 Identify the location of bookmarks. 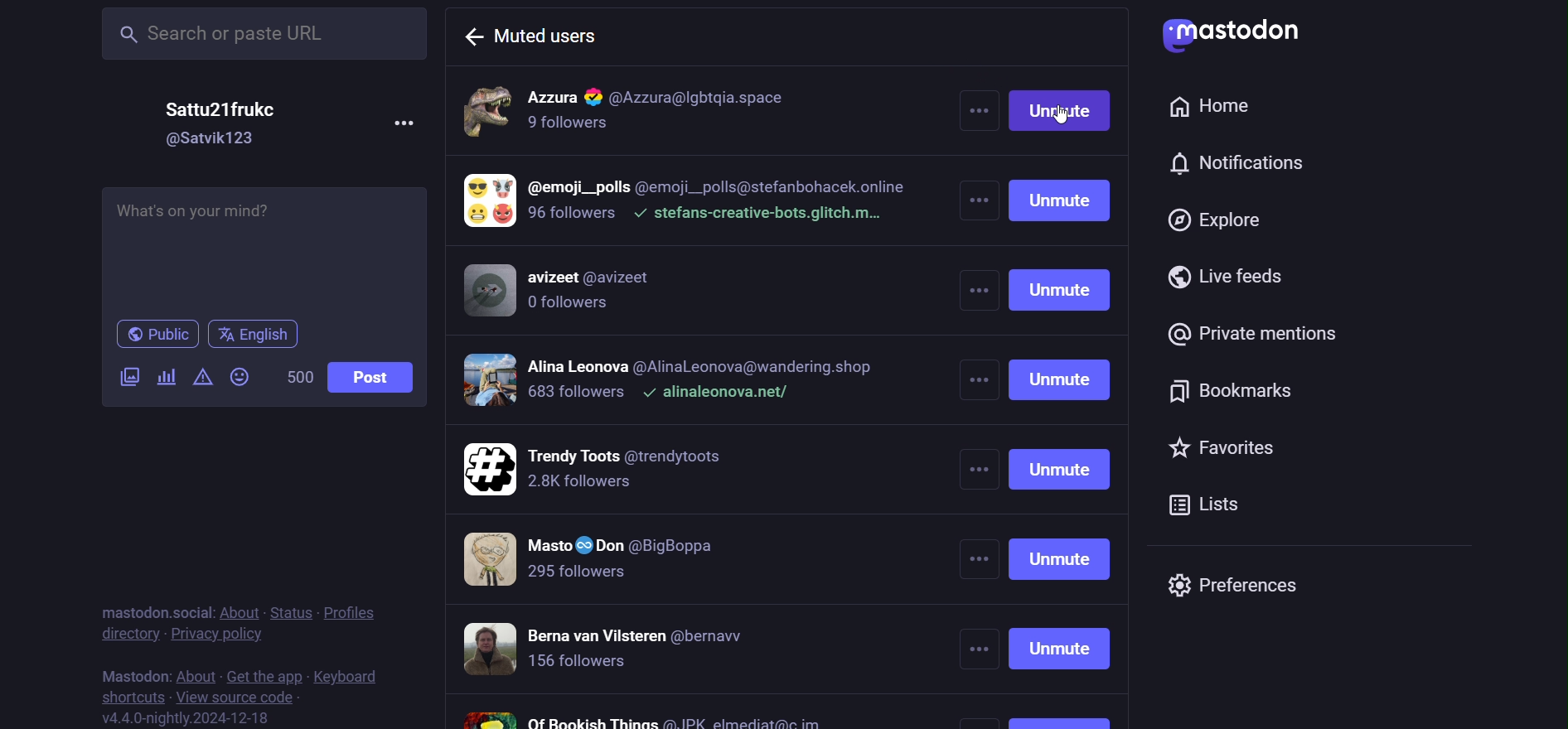
(1241, 392).